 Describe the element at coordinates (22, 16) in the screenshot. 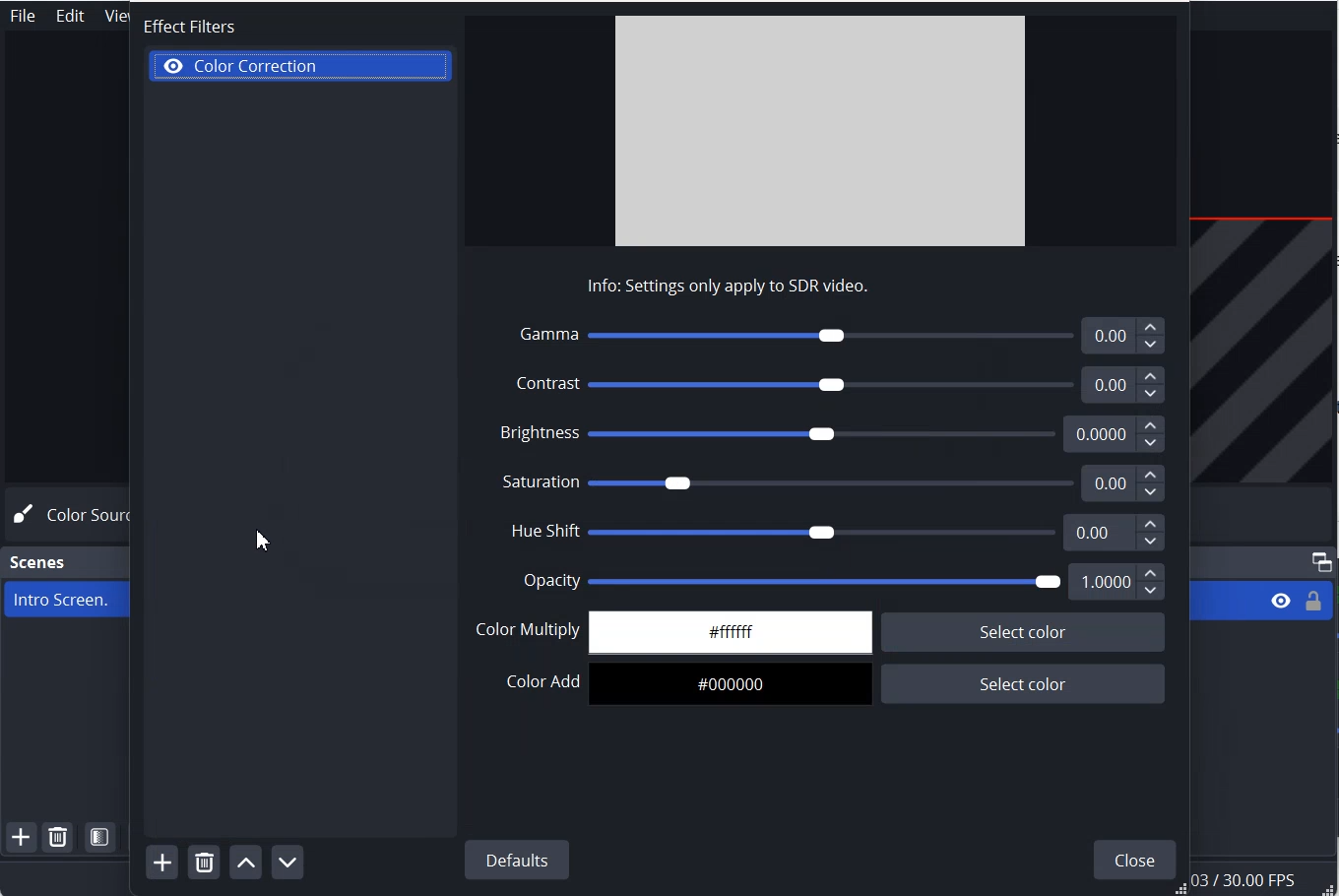

I see `File` at that location.